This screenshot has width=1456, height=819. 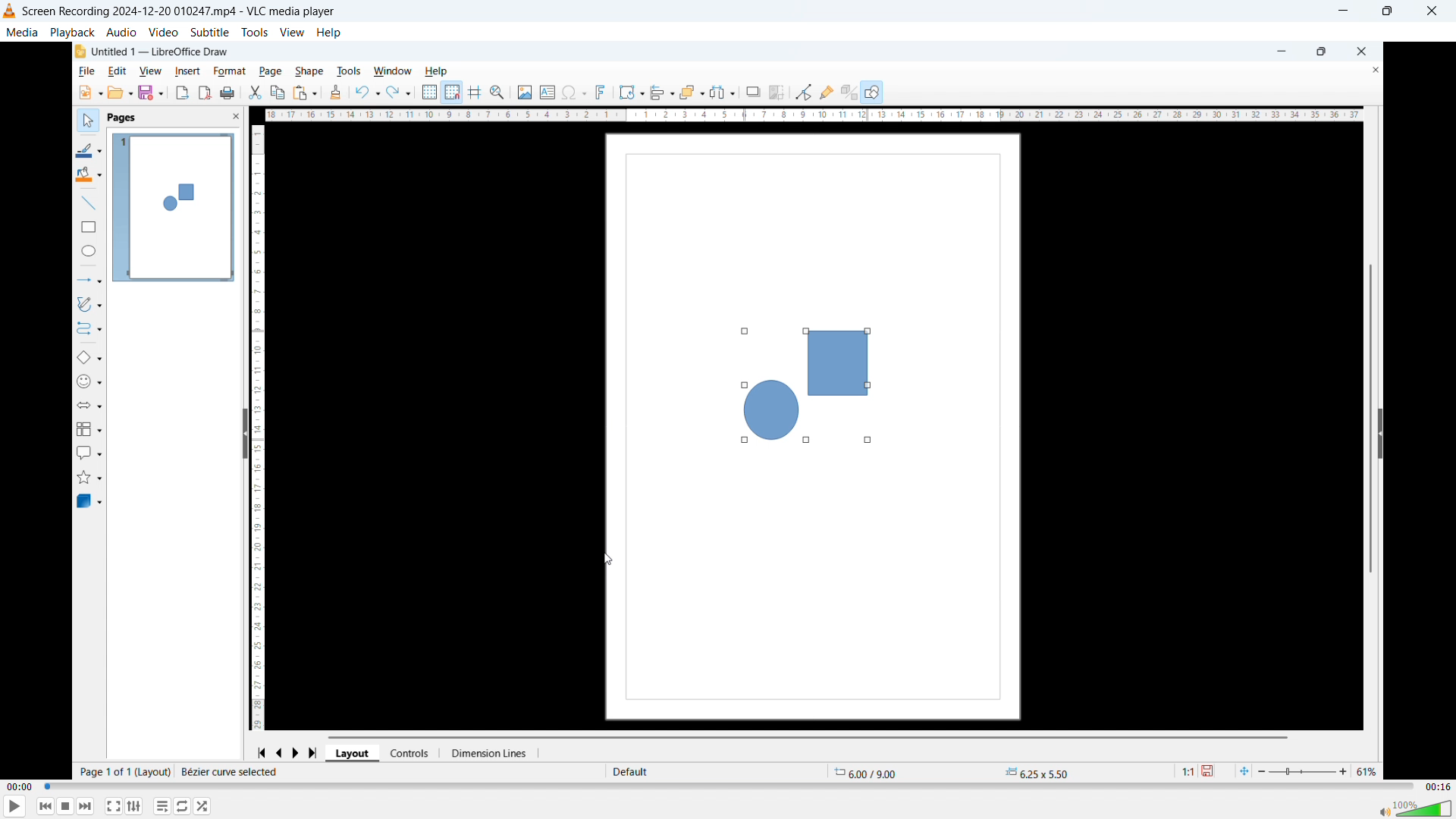 I want to click on Time elapsed , so click(x=20, y=786).